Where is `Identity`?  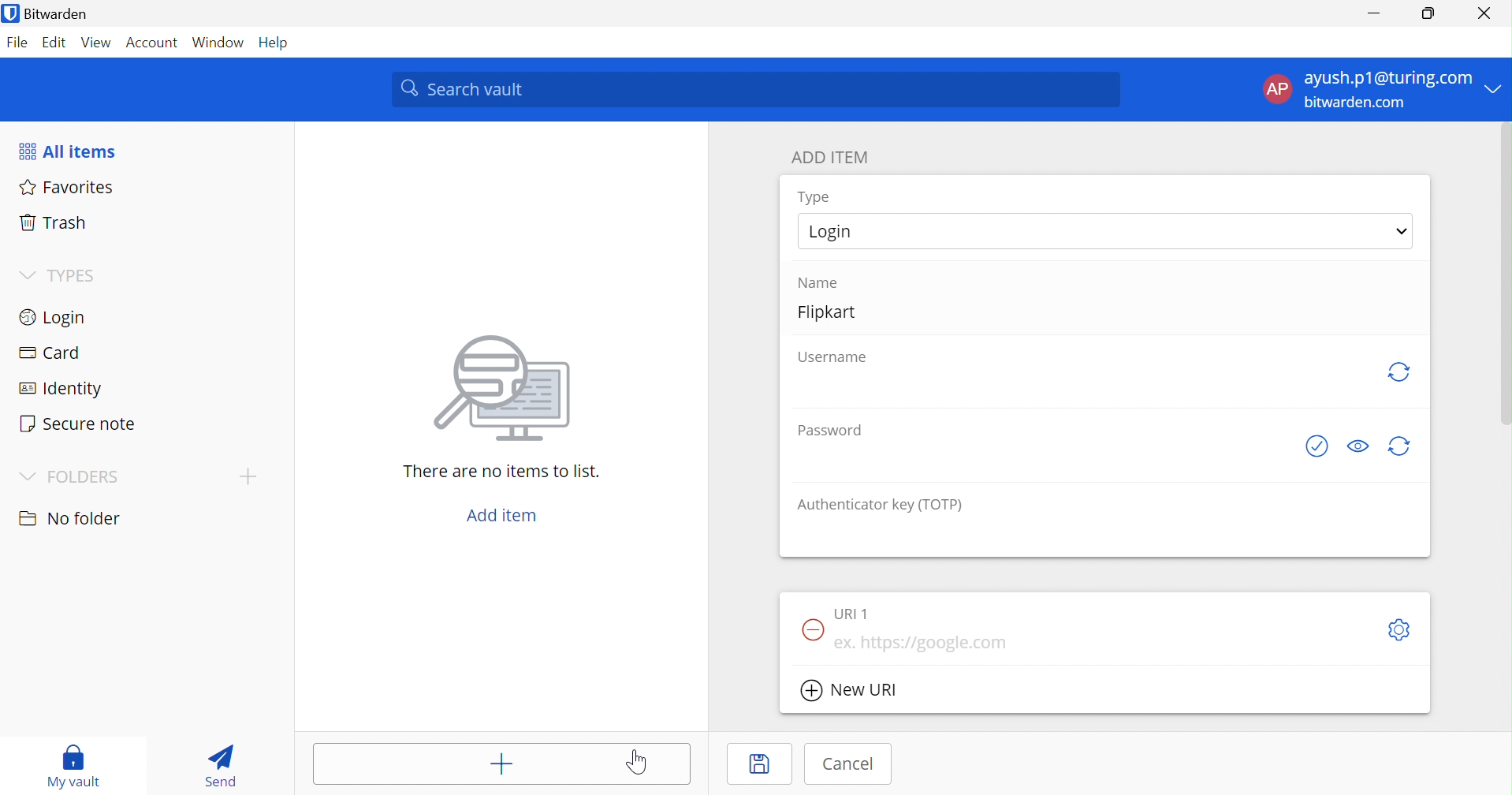 Identity is located at coordinates (62, 390).